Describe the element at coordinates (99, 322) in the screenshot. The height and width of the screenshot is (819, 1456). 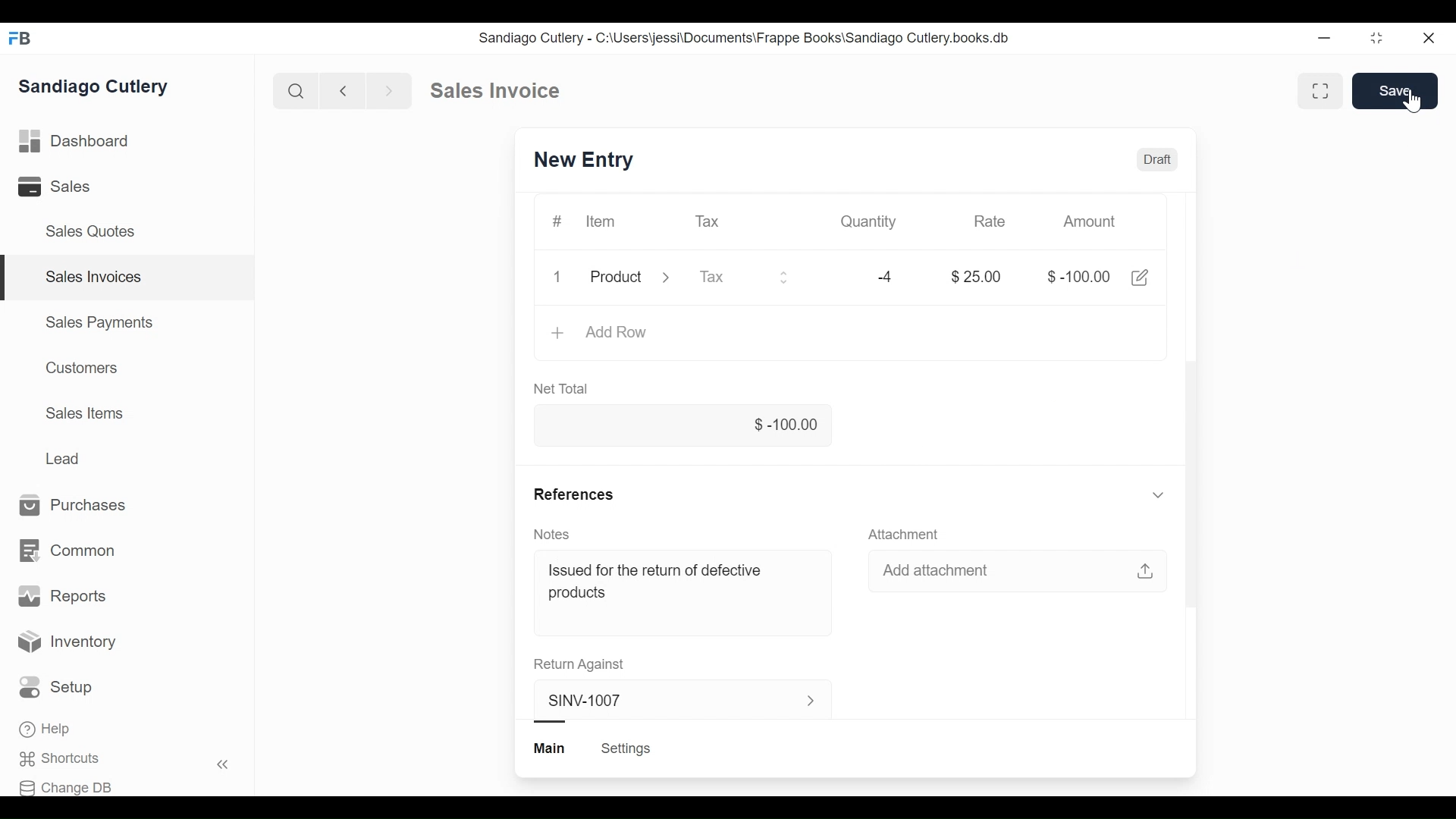
I see `Sales Payments` at that location.